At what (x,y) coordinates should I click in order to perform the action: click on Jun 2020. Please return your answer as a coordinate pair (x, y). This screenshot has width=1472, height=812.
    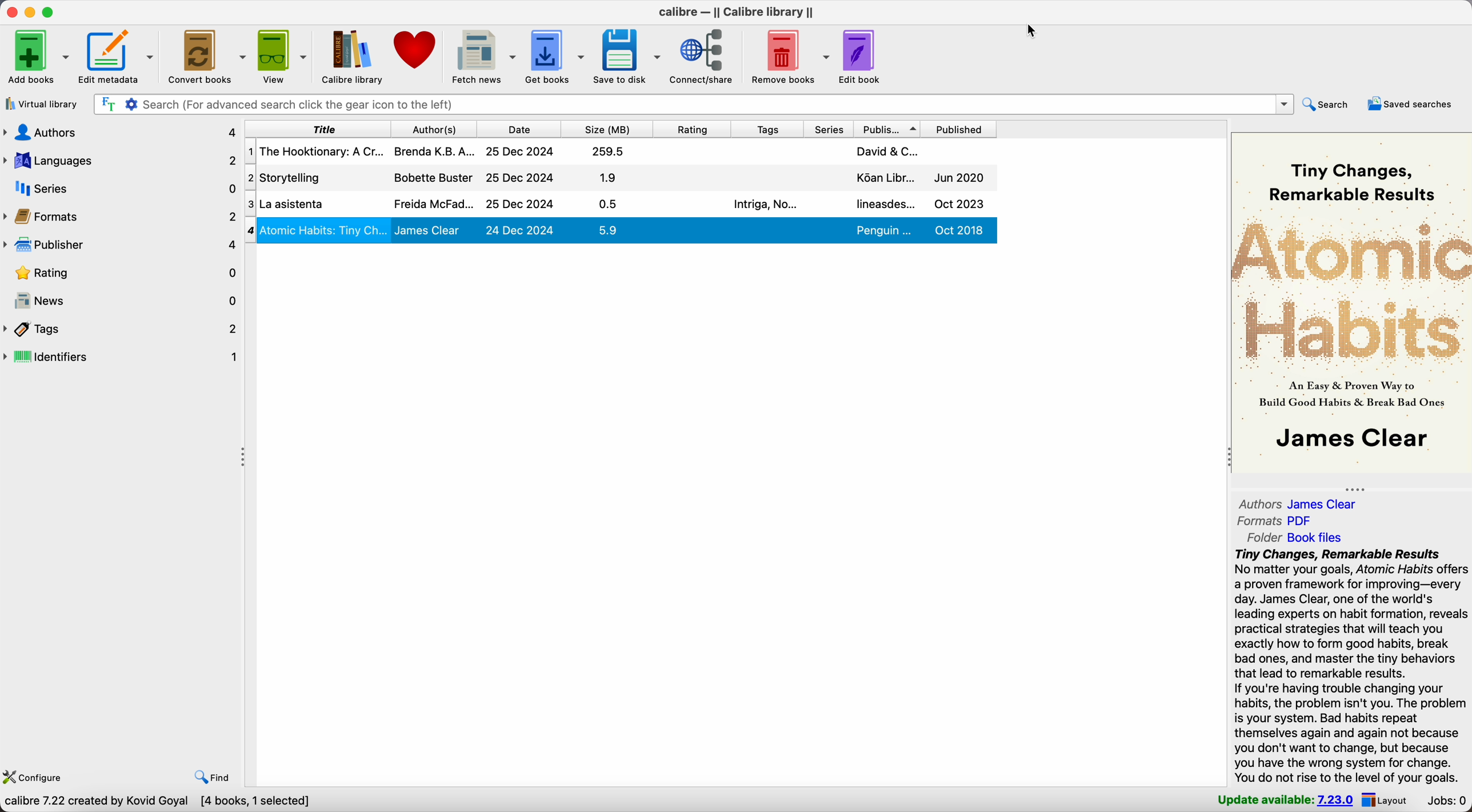
    Looking at the image, I should click on (959, 178).